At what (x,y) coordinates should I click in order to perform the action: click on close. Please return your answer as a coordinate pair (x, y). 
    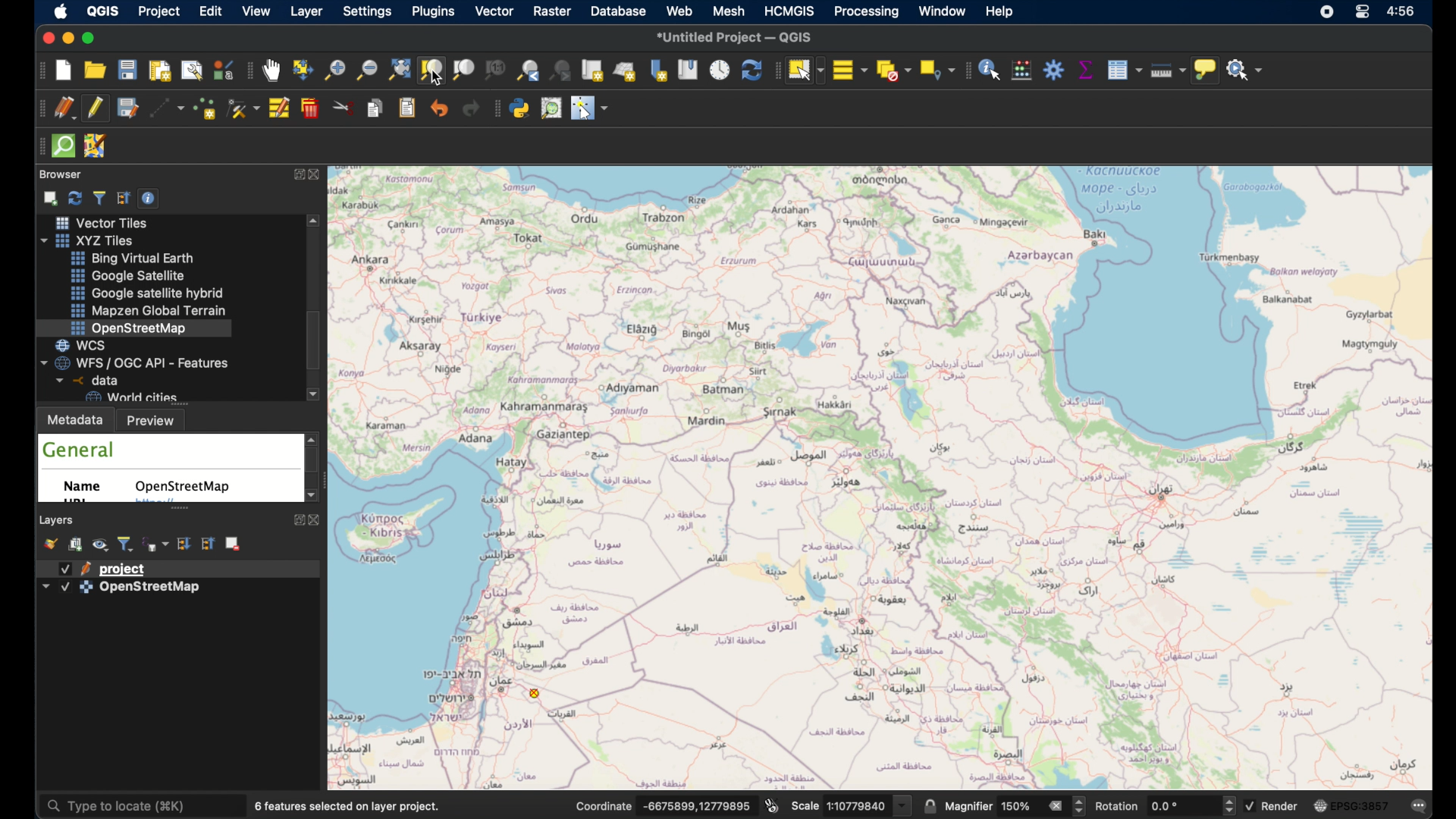
    Looking at the image, I should click on (320, 174).